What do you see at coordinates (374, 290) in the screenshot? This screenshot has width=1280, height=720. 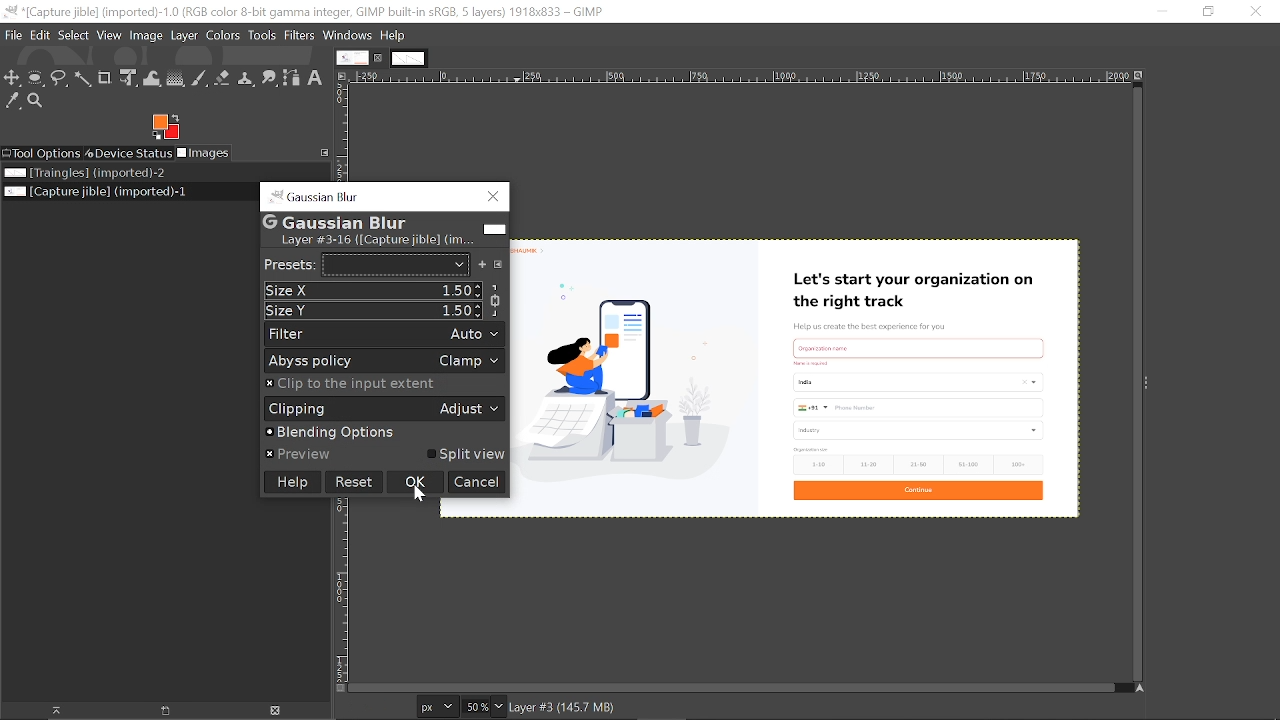 I see `Size X` at bounding box center [374, 290].